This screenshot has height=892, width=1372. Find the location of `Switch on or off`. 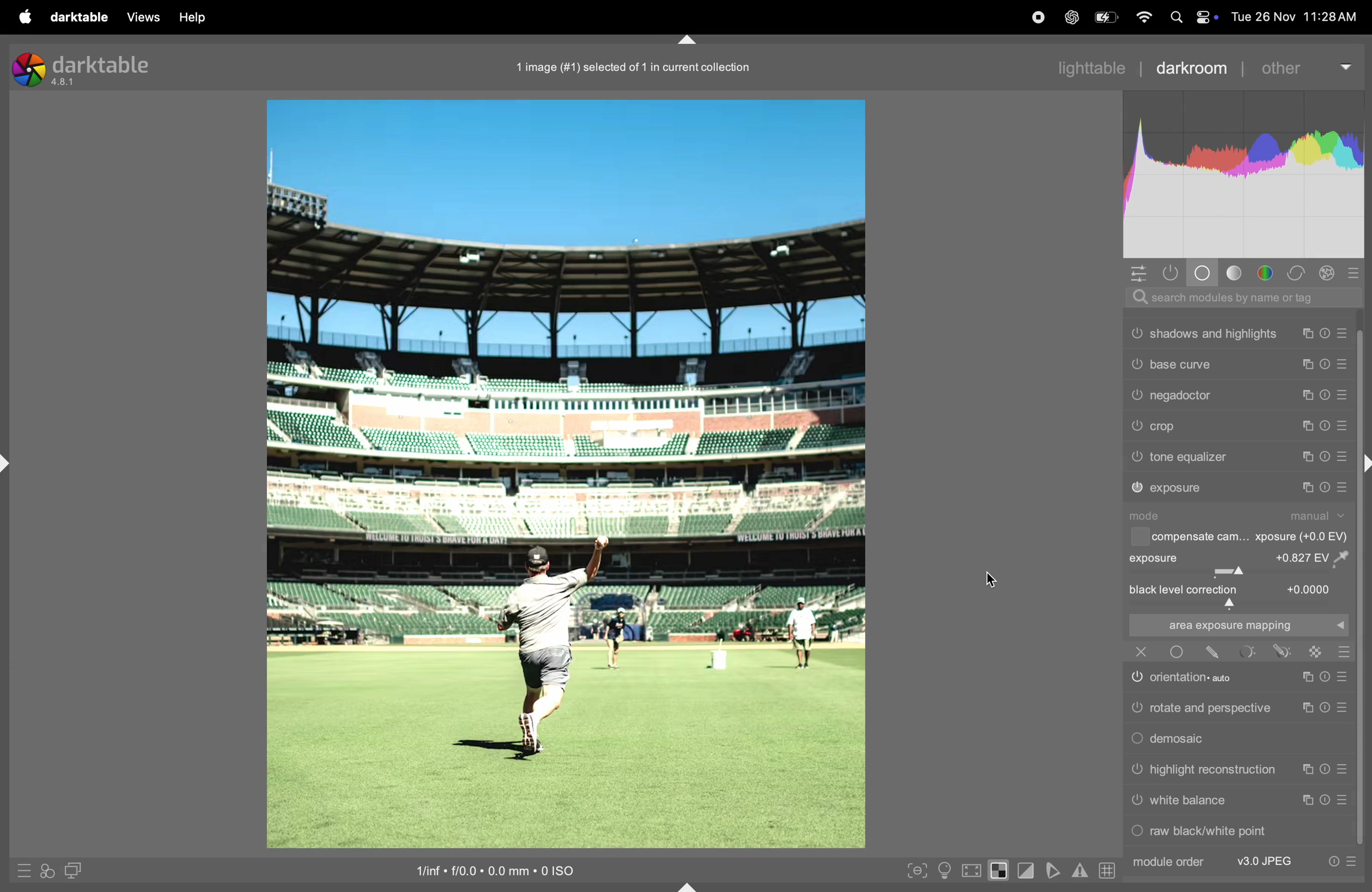

Switch on or off is located at coordinates (1137, 488).